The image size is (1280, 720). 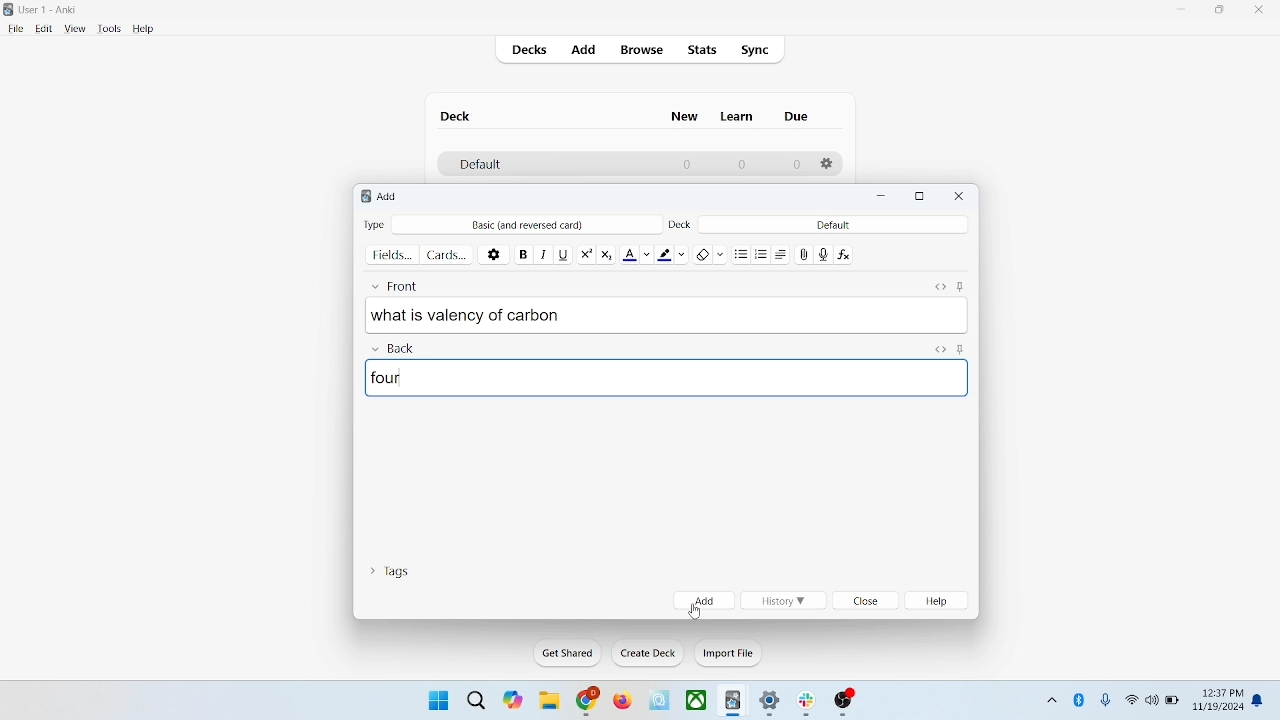 What do you see at coordinates (537, 225) in the screenshot?
I see `Basic (and reversed card)` at bounding box center [537, 225].